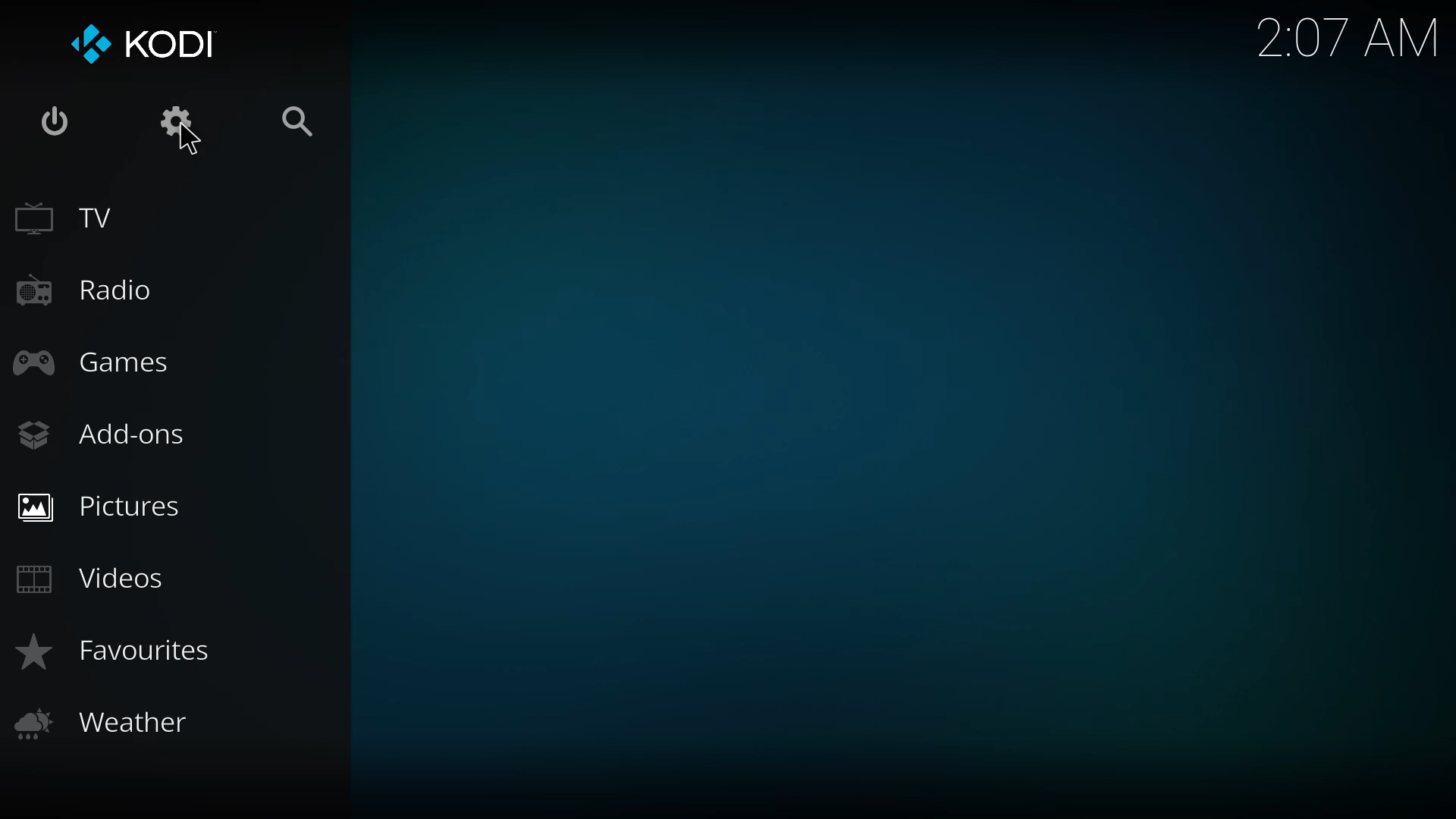  What do you see at coordinates (87, 287) in the screenshot?
I see `radio` at bounding box center [87, 287].